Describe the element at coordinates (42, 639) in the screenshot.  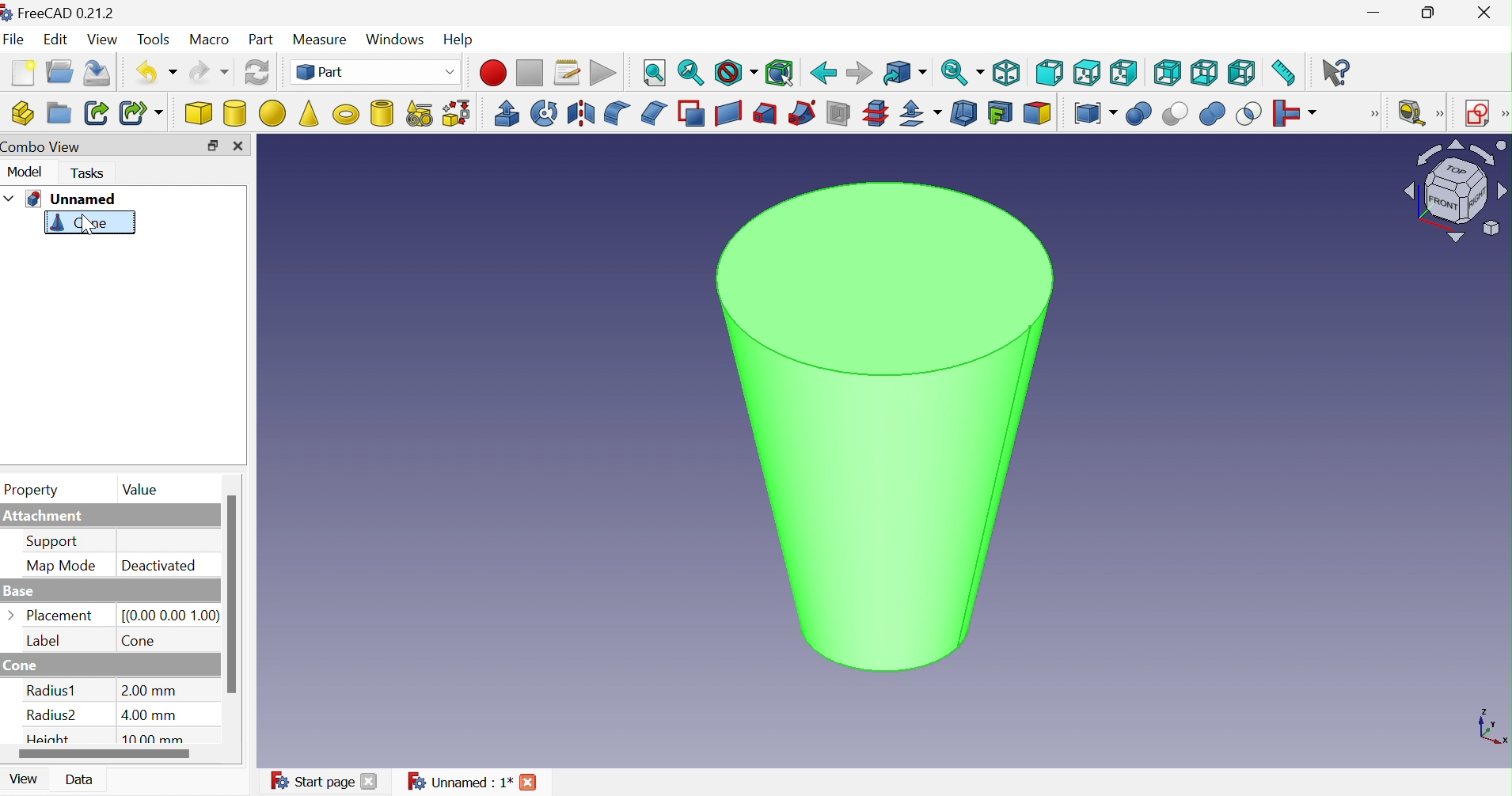
I see `Label` at that location.